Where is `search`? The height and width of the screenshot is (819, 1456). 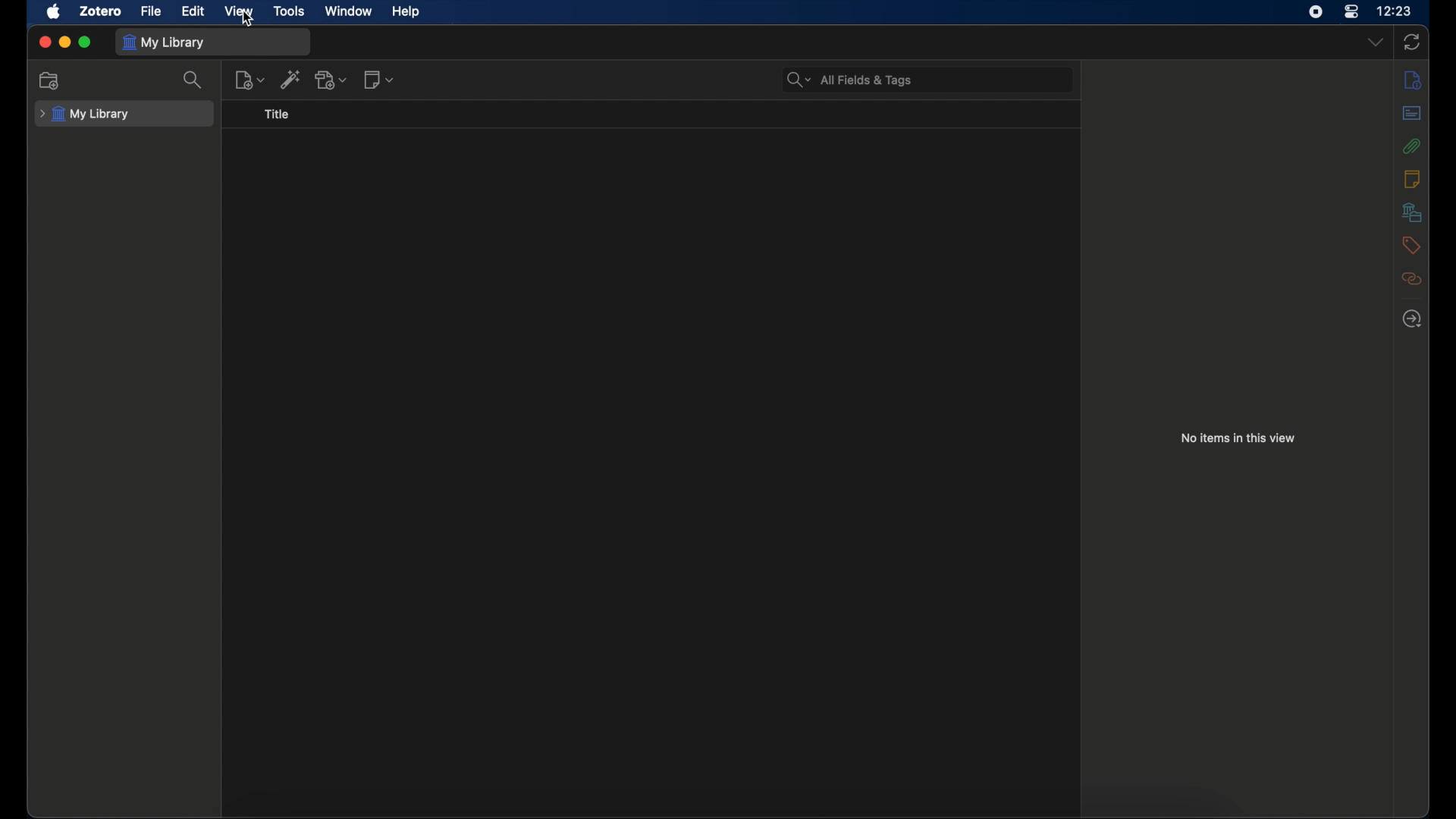
search is located at coordinates (194, 80).